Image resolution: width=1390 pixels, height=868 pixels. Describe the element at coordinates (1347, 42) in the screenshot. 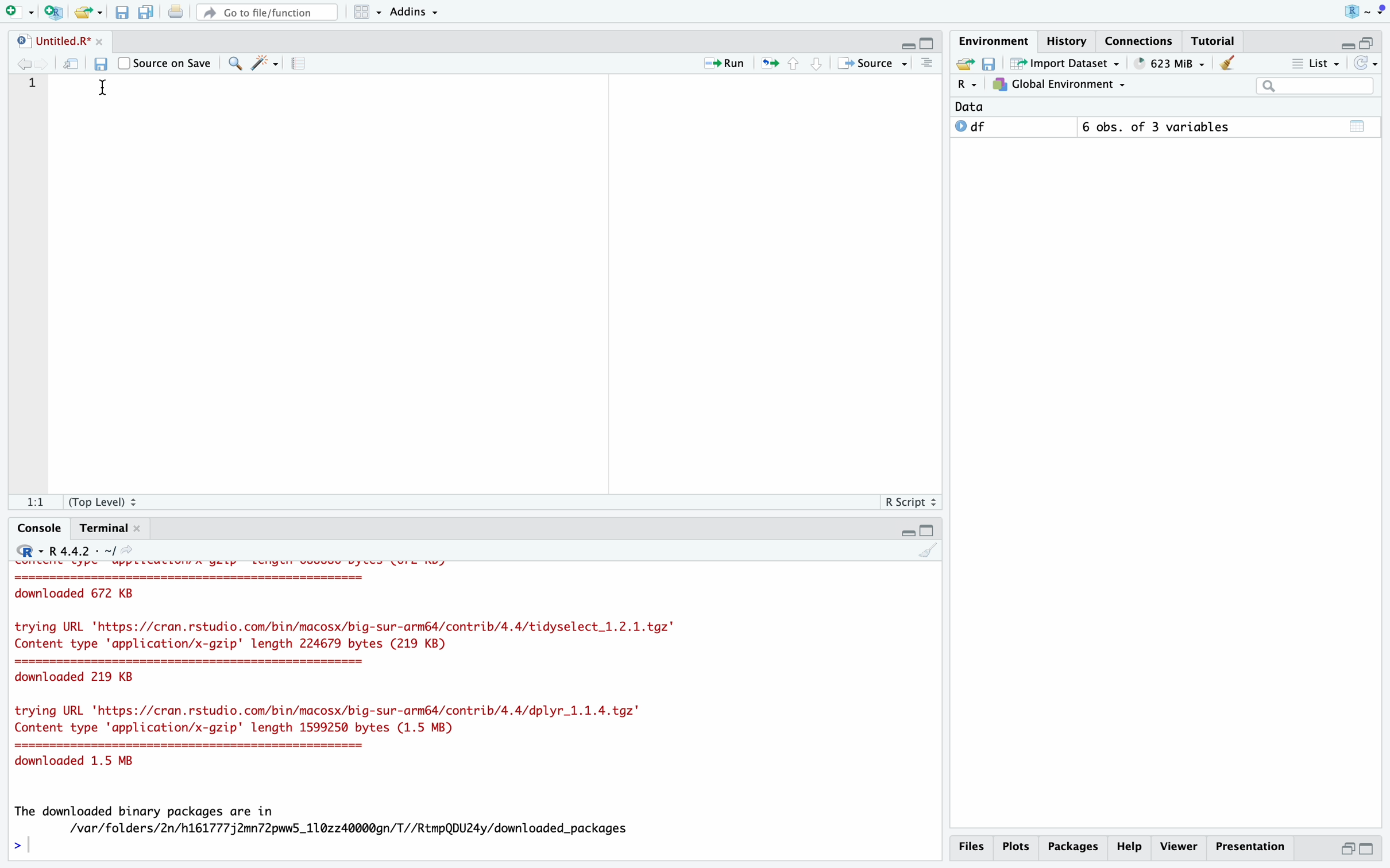

I see `Hide` at that location.